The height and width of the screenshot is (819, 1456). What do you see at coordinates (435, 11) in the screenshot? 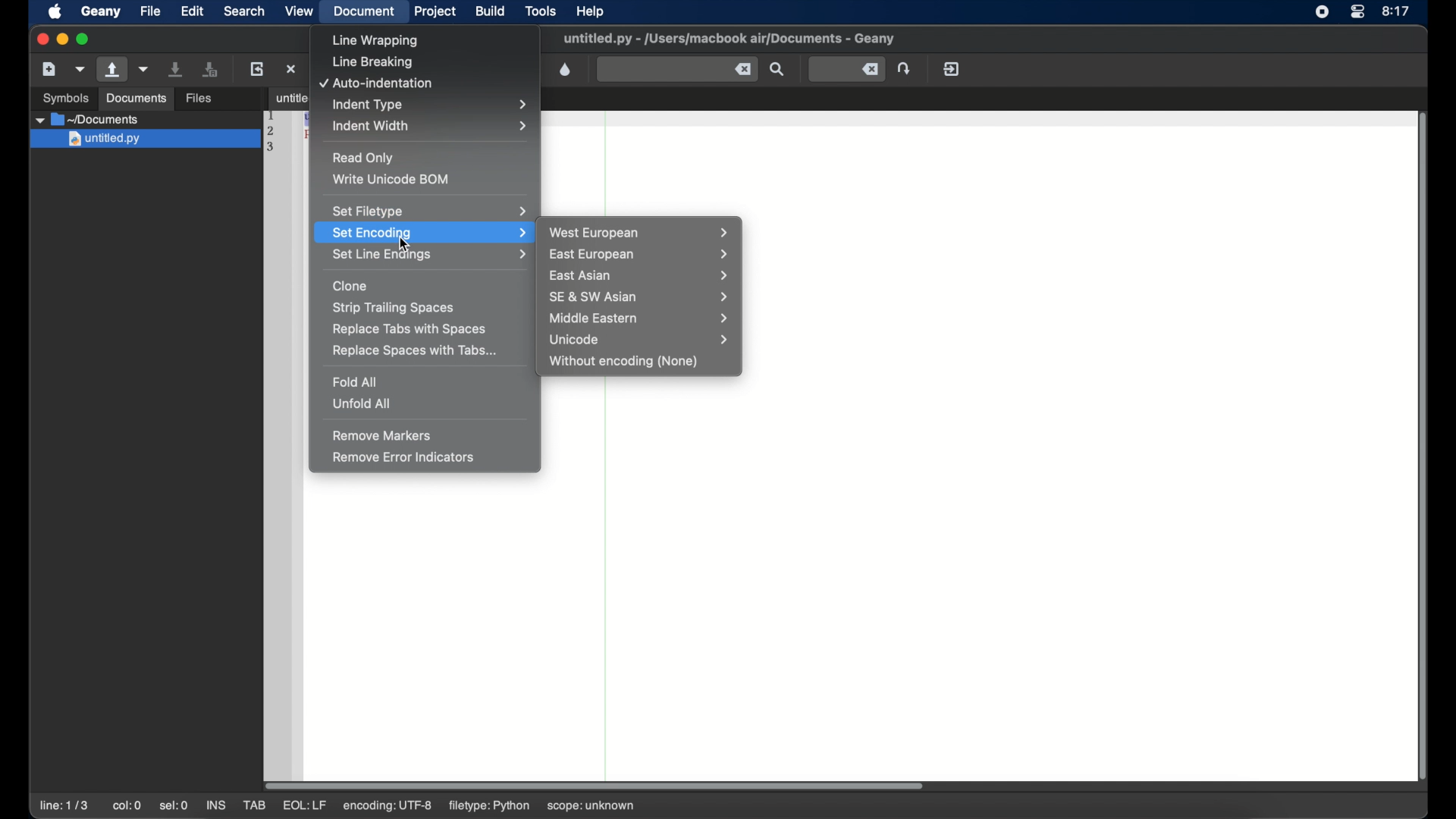
I see `project` at bounding box center [435, 11].